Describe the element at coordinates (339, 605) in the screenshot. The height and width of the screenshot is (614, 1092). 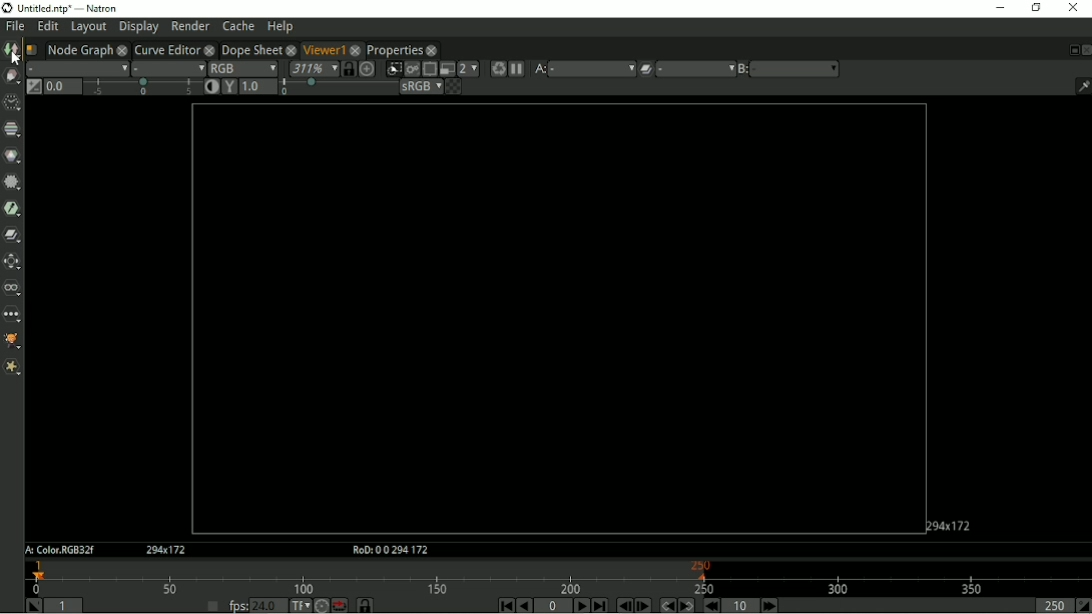
I see `Behaviour` at that location.